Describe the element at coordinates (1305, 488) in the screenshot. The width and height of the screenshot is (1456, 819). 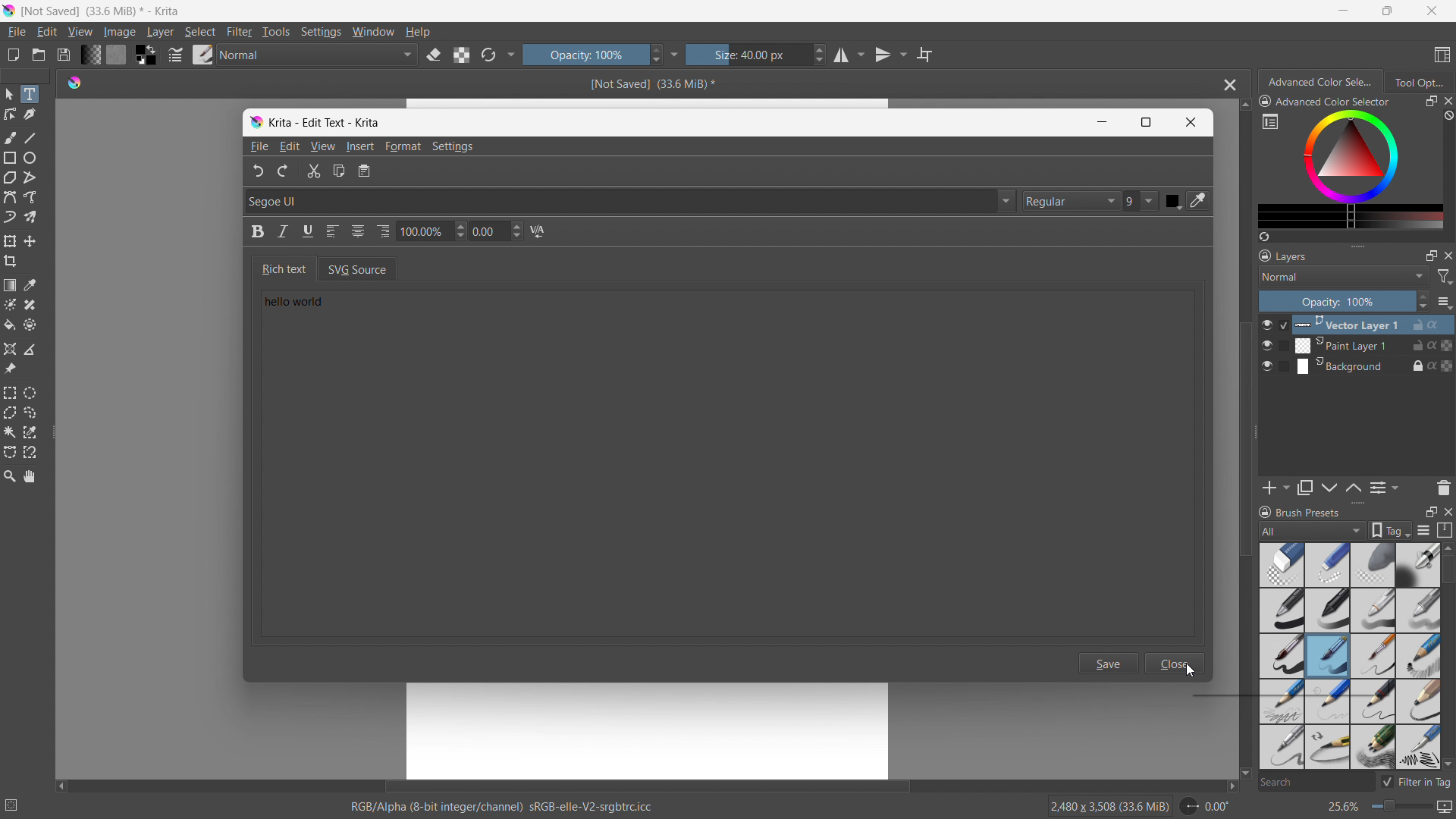
I see `duplicate layer` at that location.